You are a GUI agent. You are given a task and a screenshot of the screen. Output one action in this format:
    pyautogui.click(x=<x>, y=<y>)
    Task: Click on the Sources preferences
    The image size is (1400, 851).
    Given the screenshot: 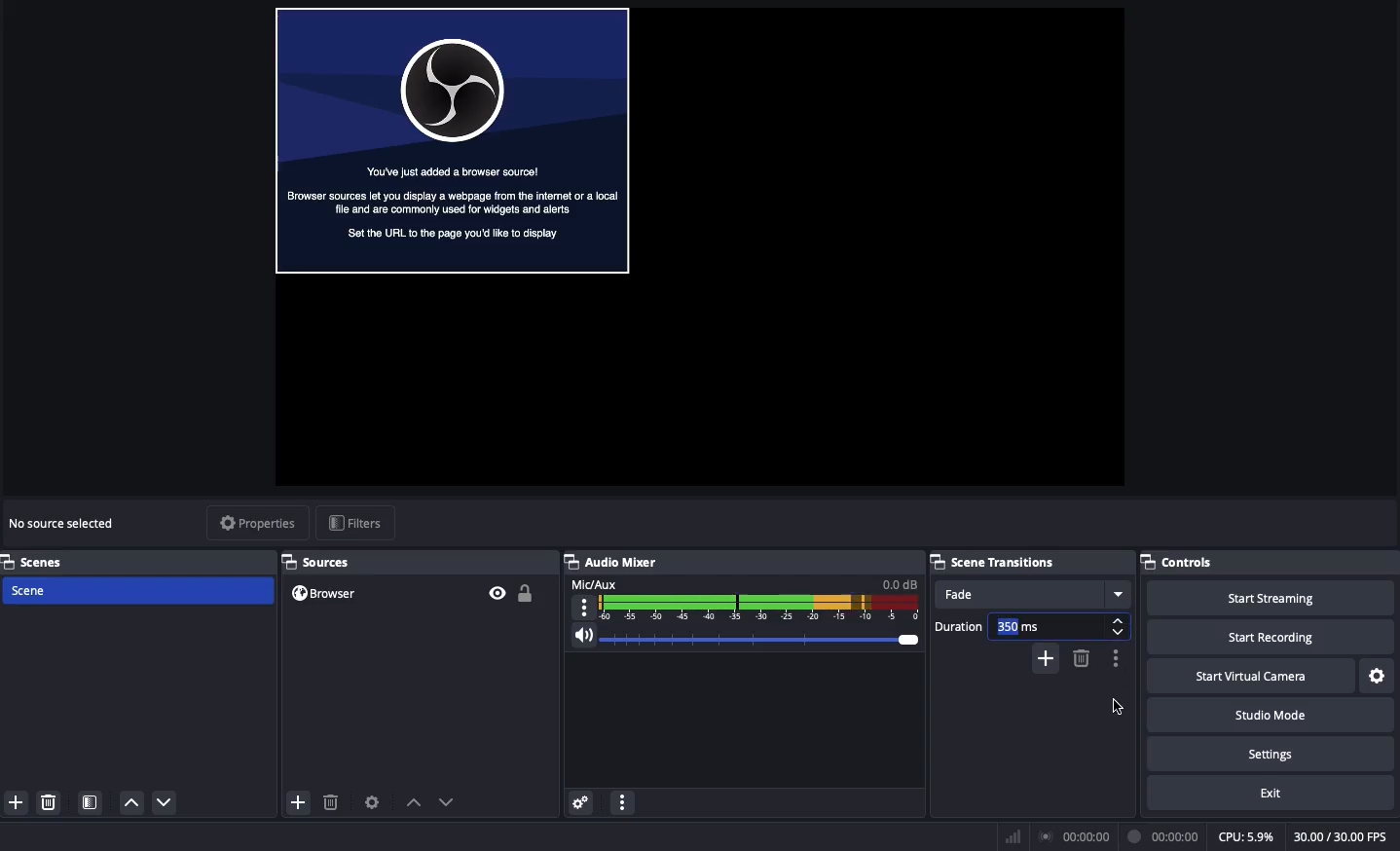 What is the action you would take?
    pyautogui.click(x=375, y=800)
    